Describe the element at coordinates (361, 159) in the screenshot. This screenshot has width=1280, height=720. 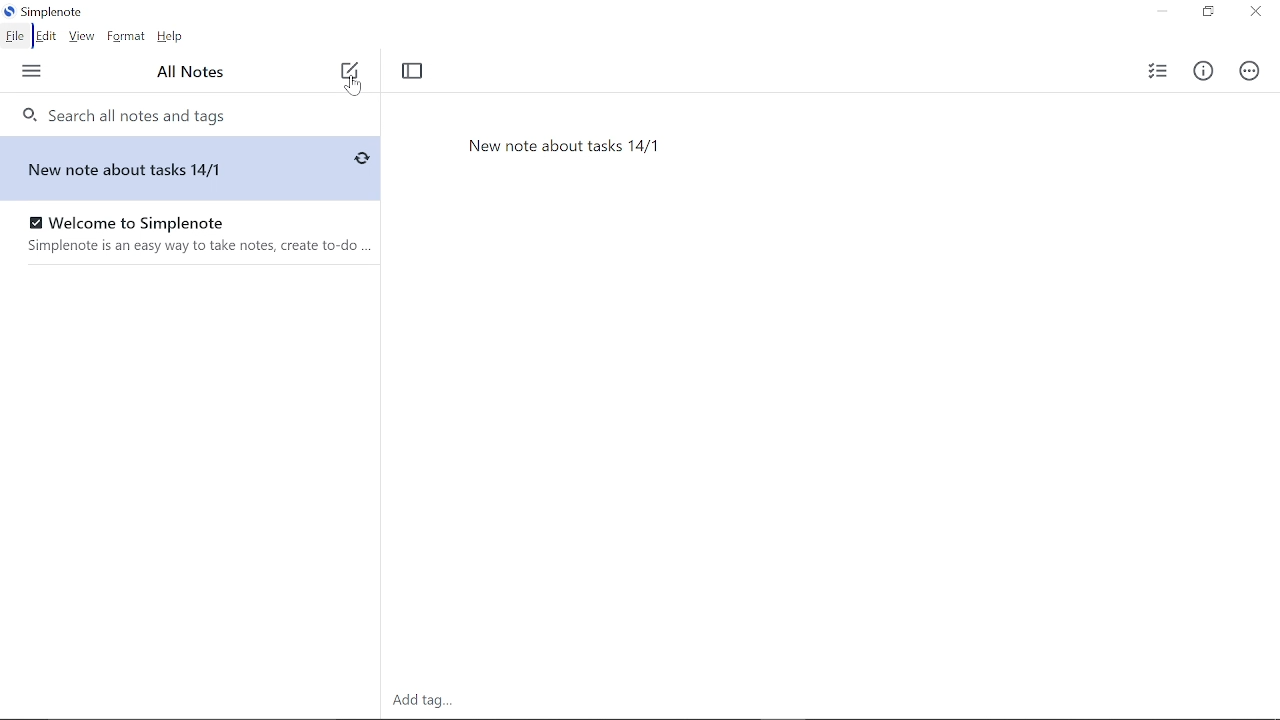
I see `Sync` at that location.